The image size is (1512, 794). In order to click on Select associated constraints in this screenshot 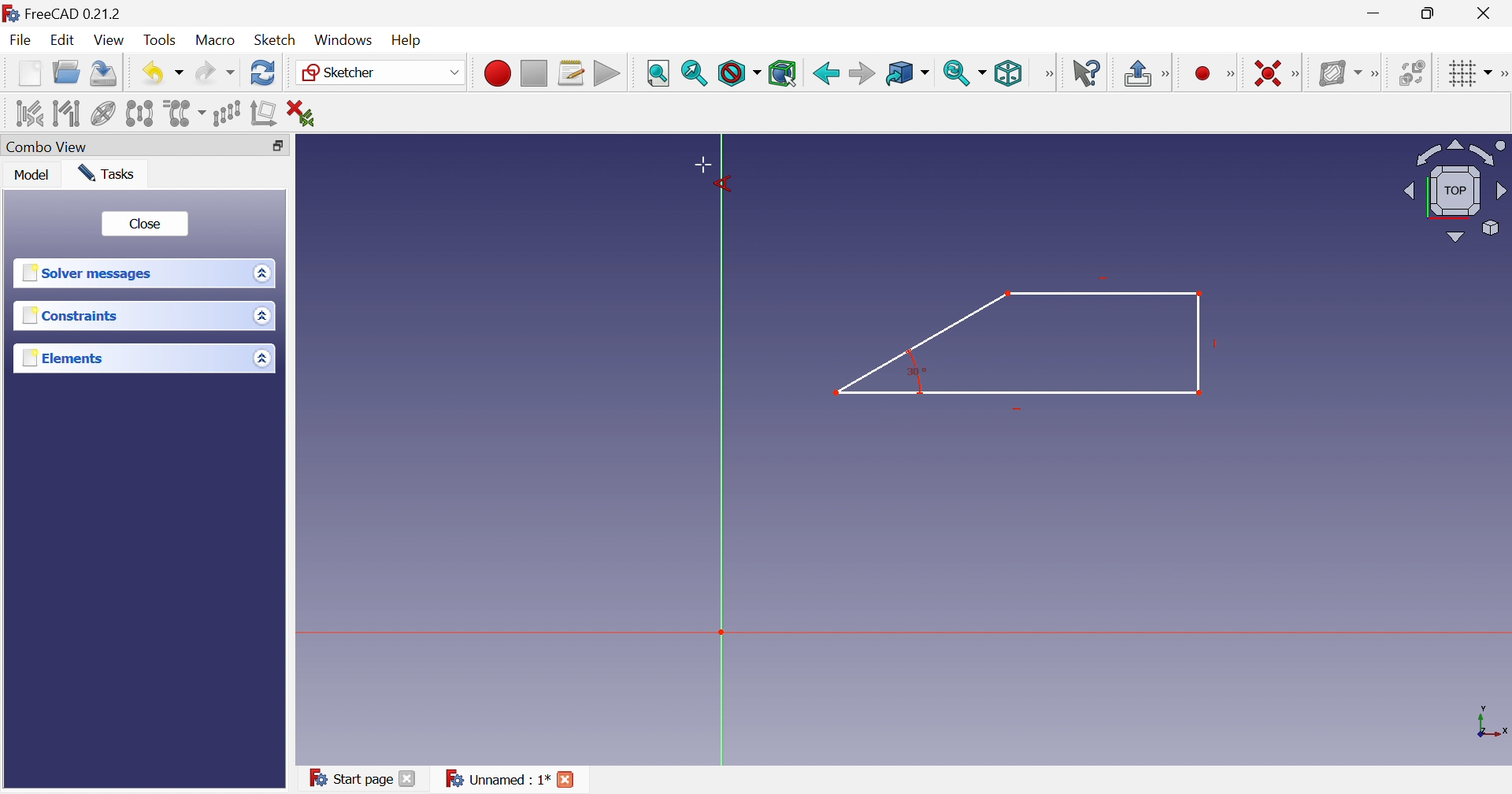, I will do `click(23, 113)`.